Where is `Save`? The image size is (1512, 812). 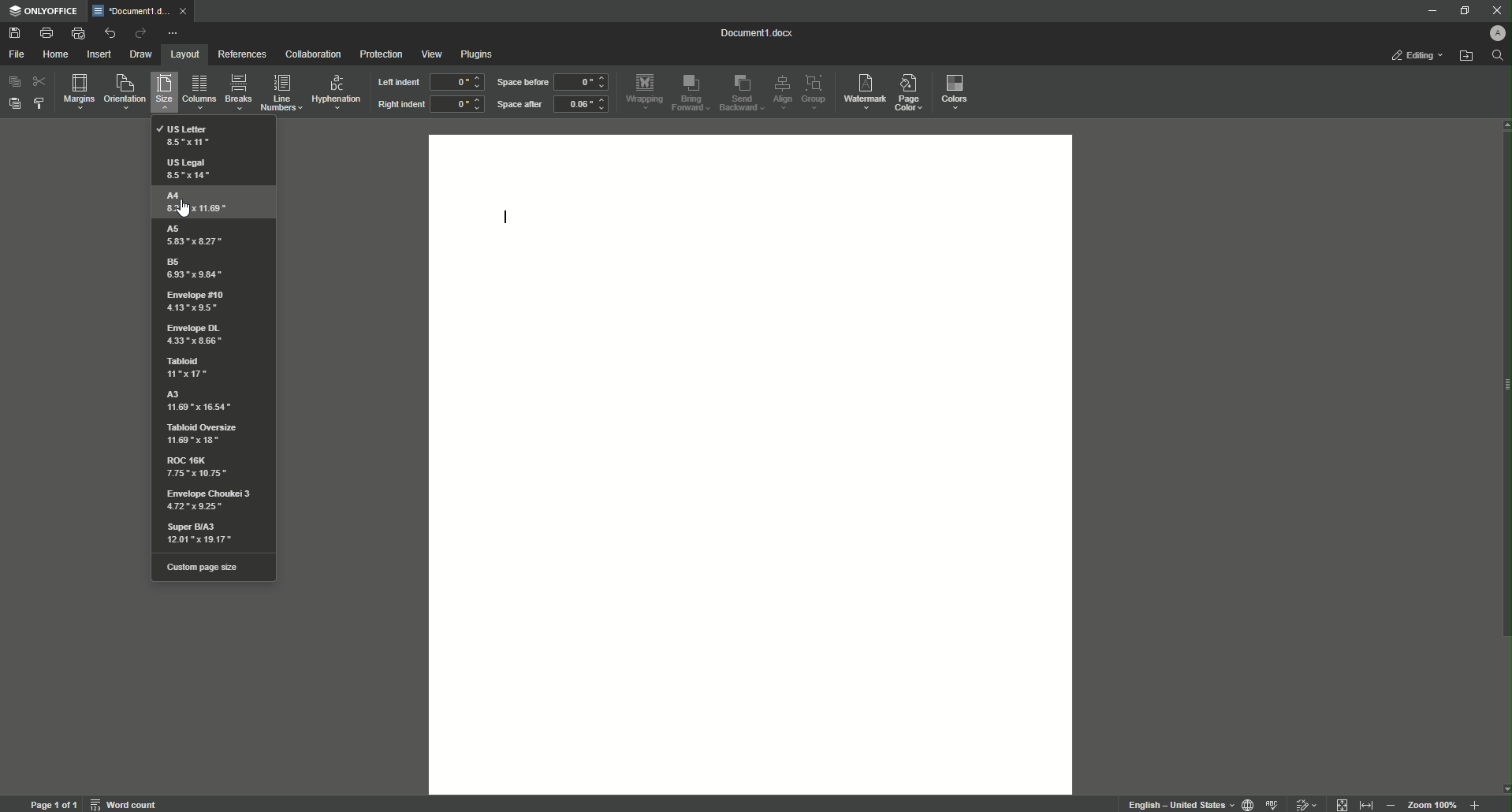 Save is located at coordinates (16, 32).